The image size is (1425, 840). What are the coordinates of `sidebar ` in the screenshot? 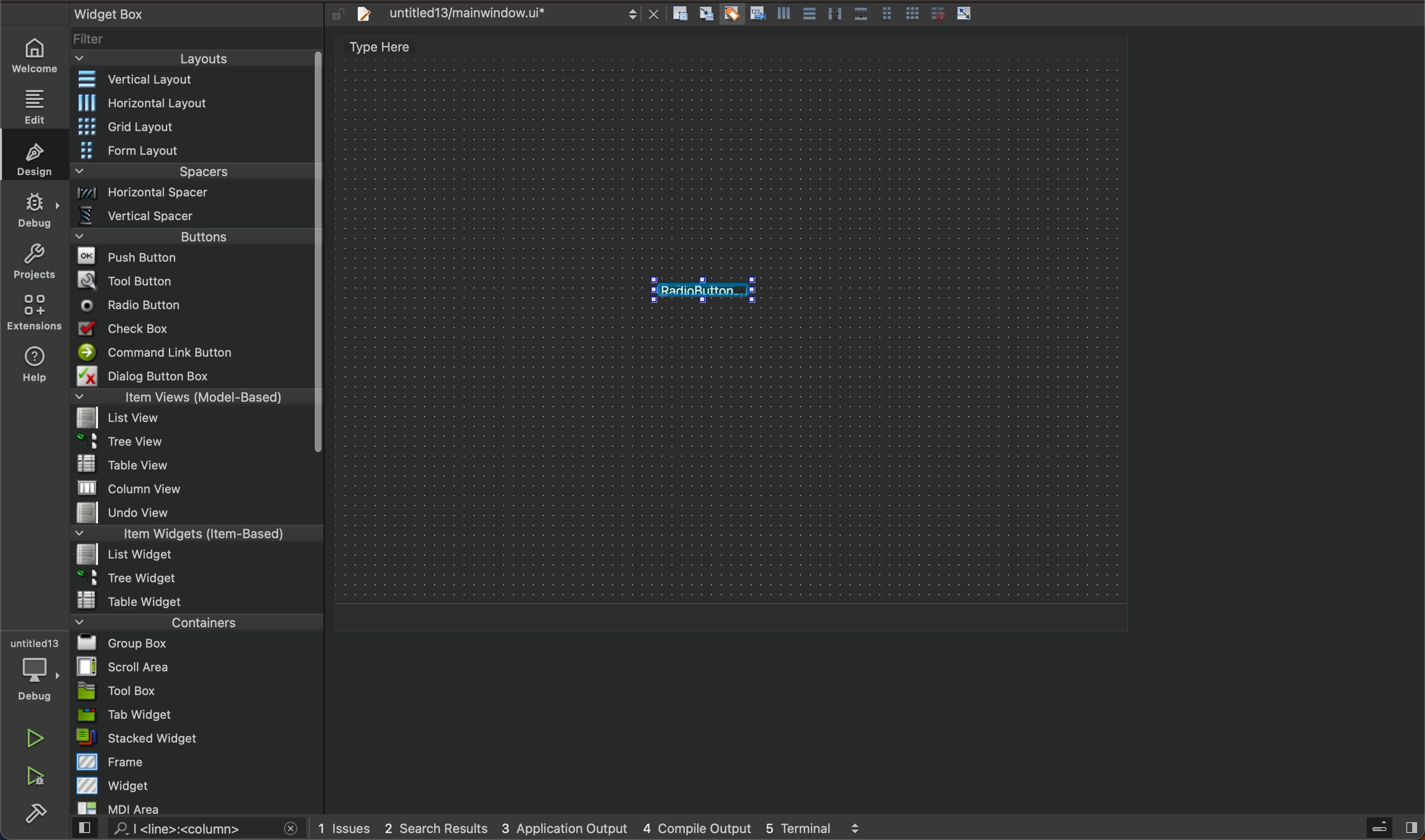 It's located at (1381, 828).